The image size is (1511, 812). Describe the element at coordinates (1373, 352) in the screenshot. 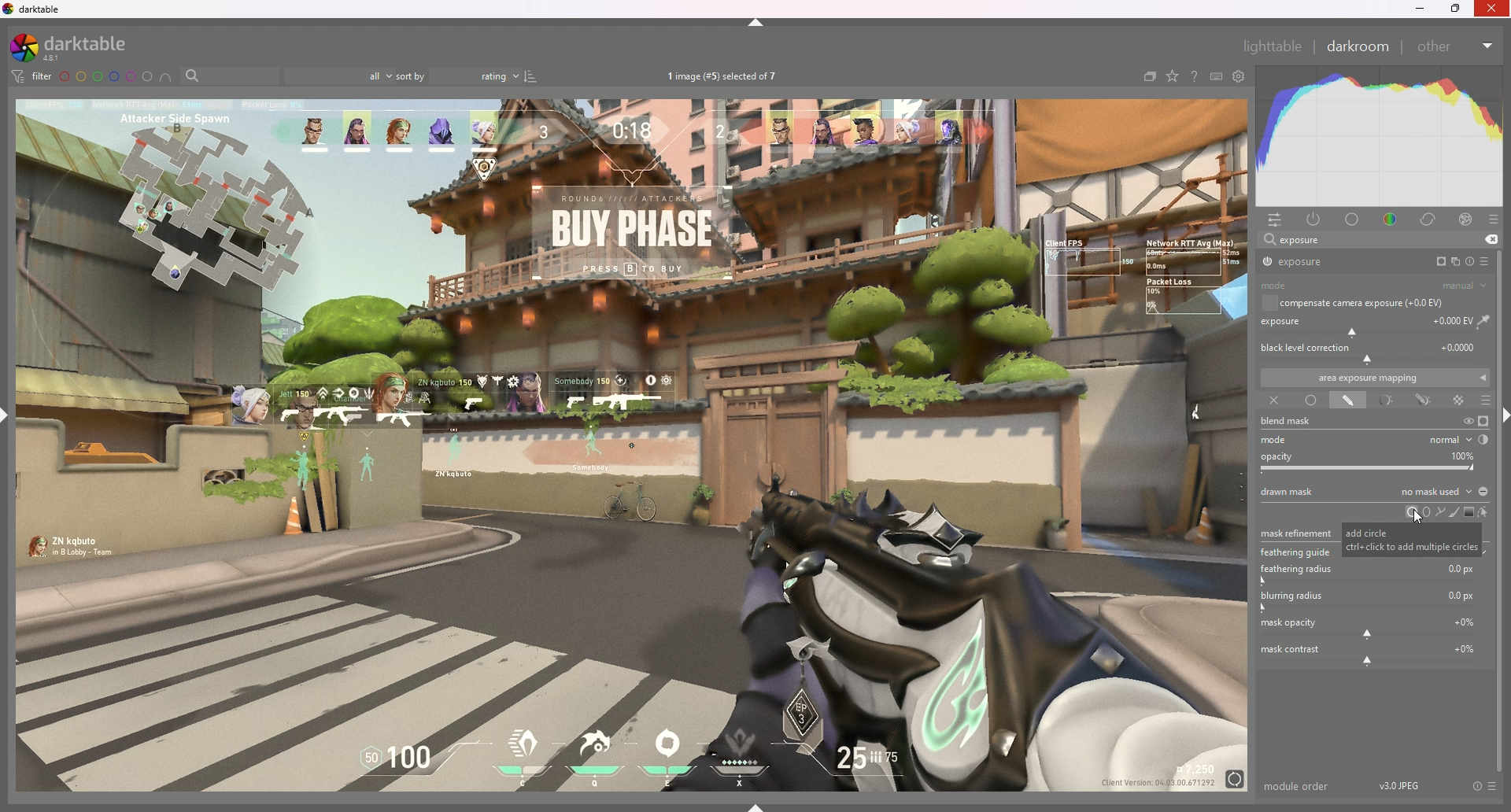

I see `black level correction` at that location.